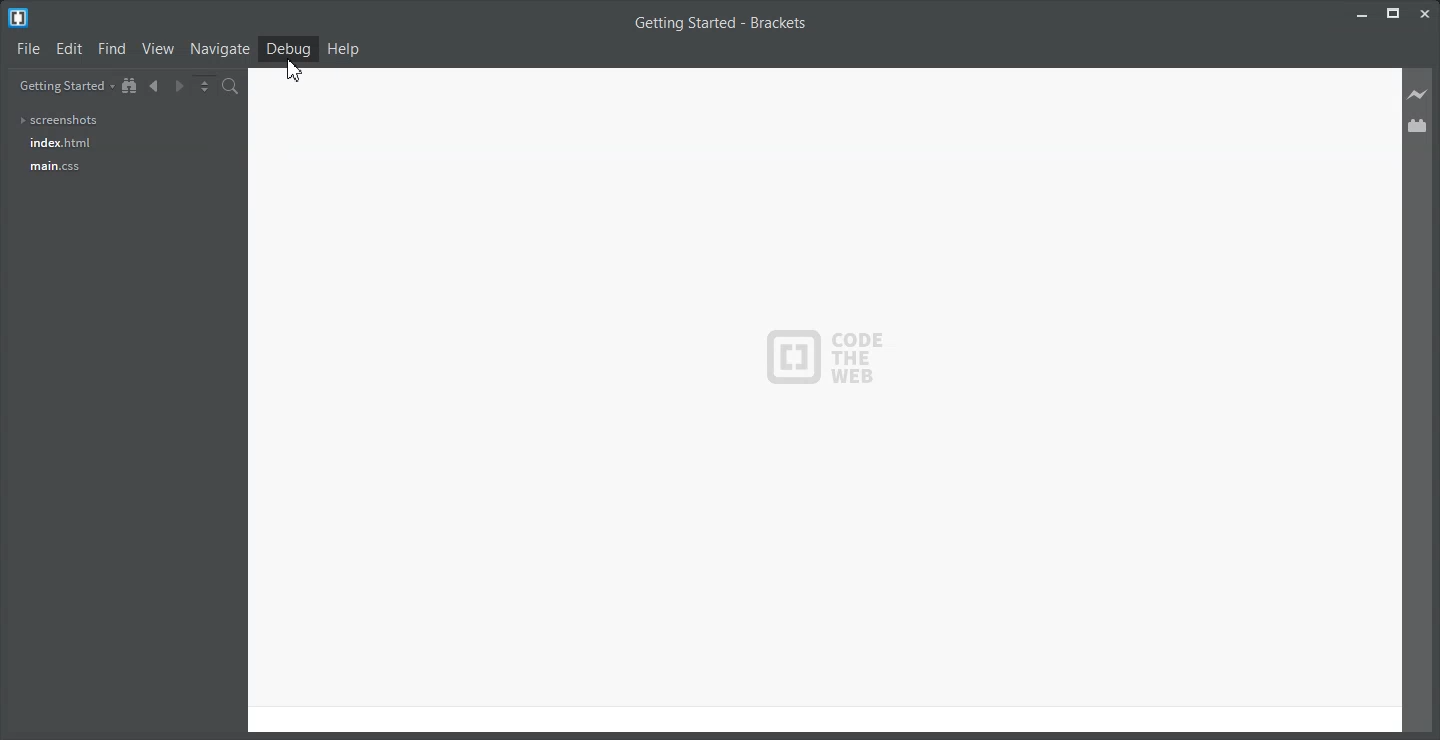  Describe the element at coordinates (231, 86) in the screenshot. I see `Find in files` at that location.